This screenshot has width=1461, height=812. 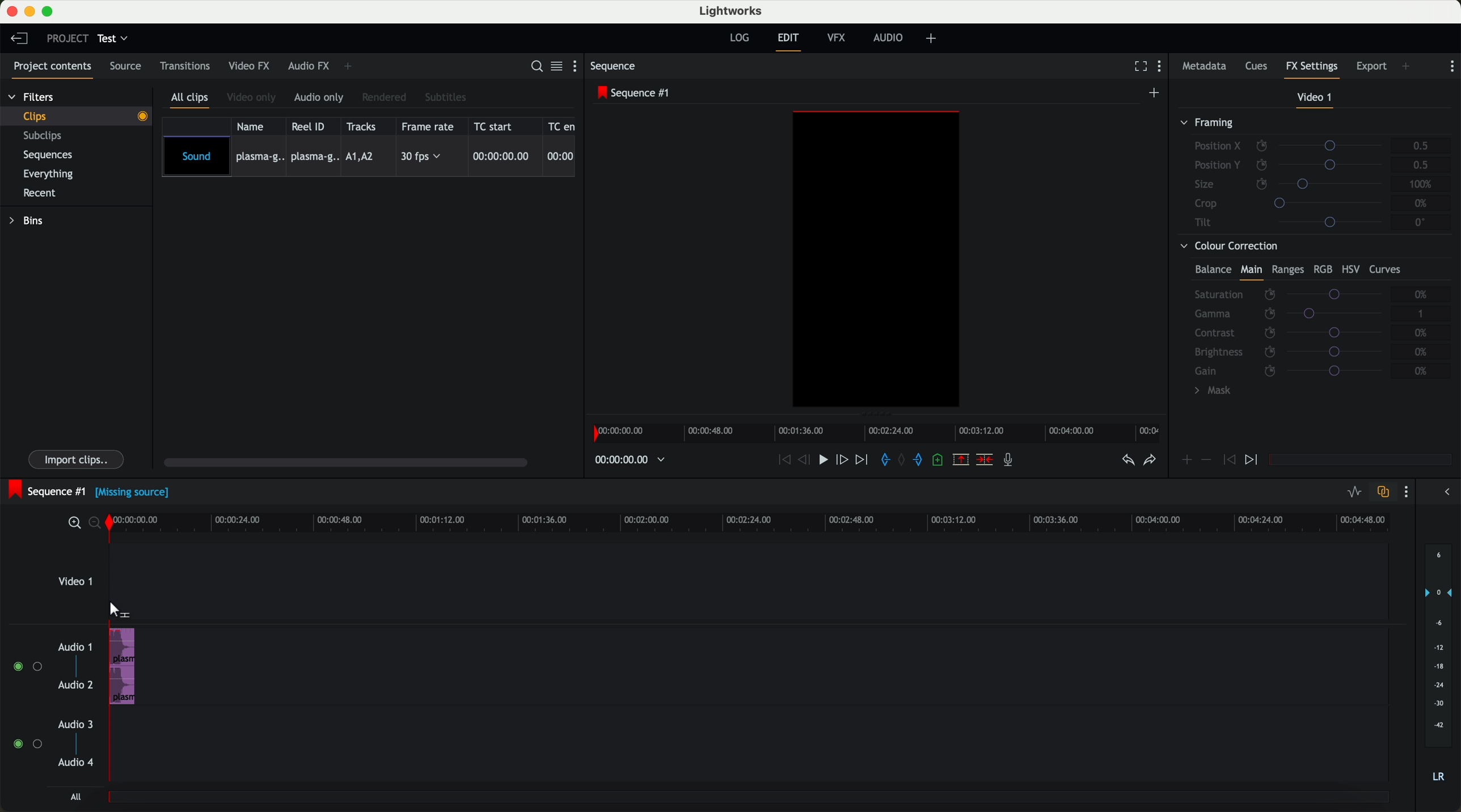 I want to click on timer, so click(x=628, y=460).